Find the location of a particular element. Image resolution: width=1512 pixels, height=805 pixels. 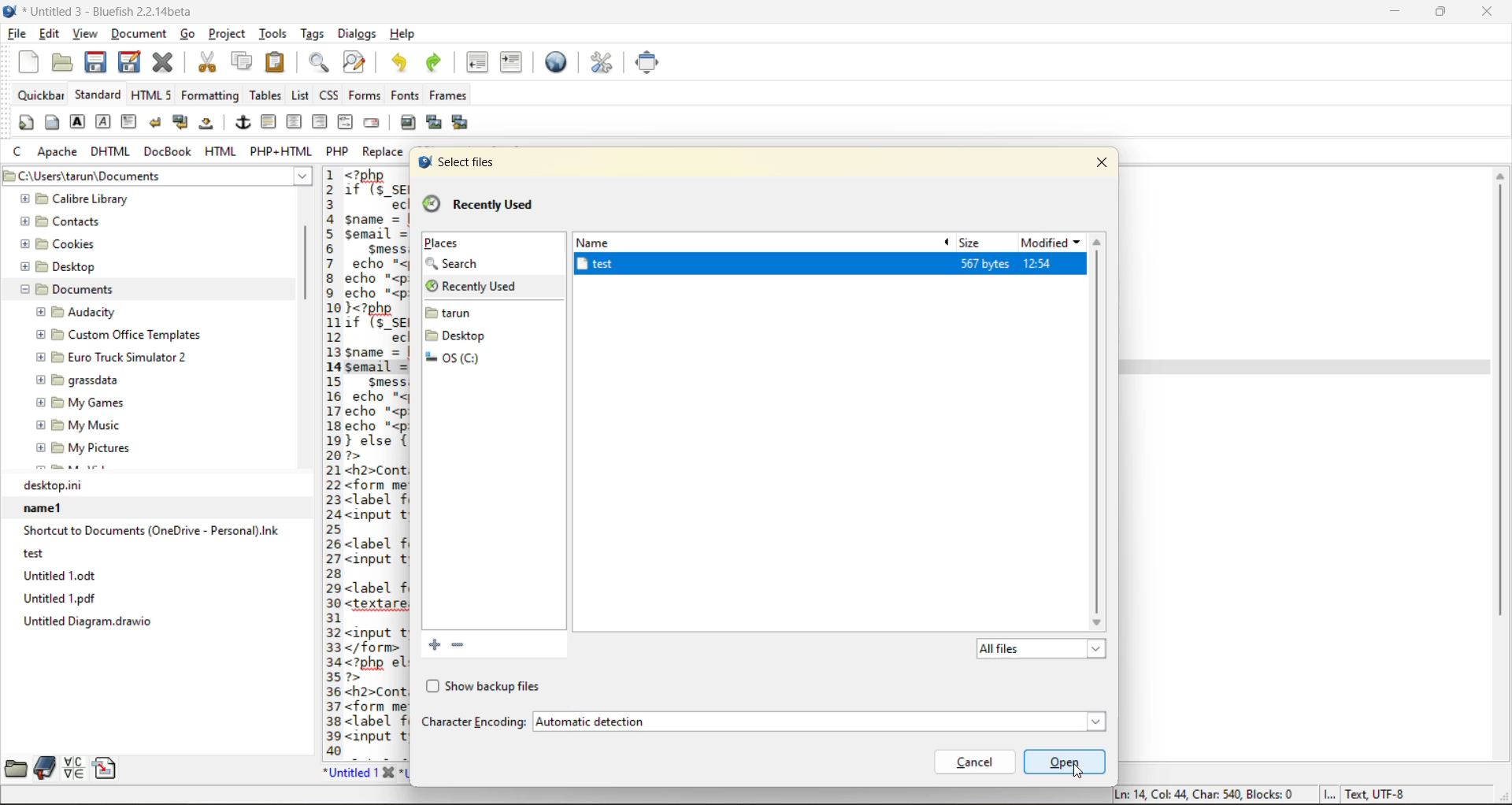

document is located at coordinates (139, 38).